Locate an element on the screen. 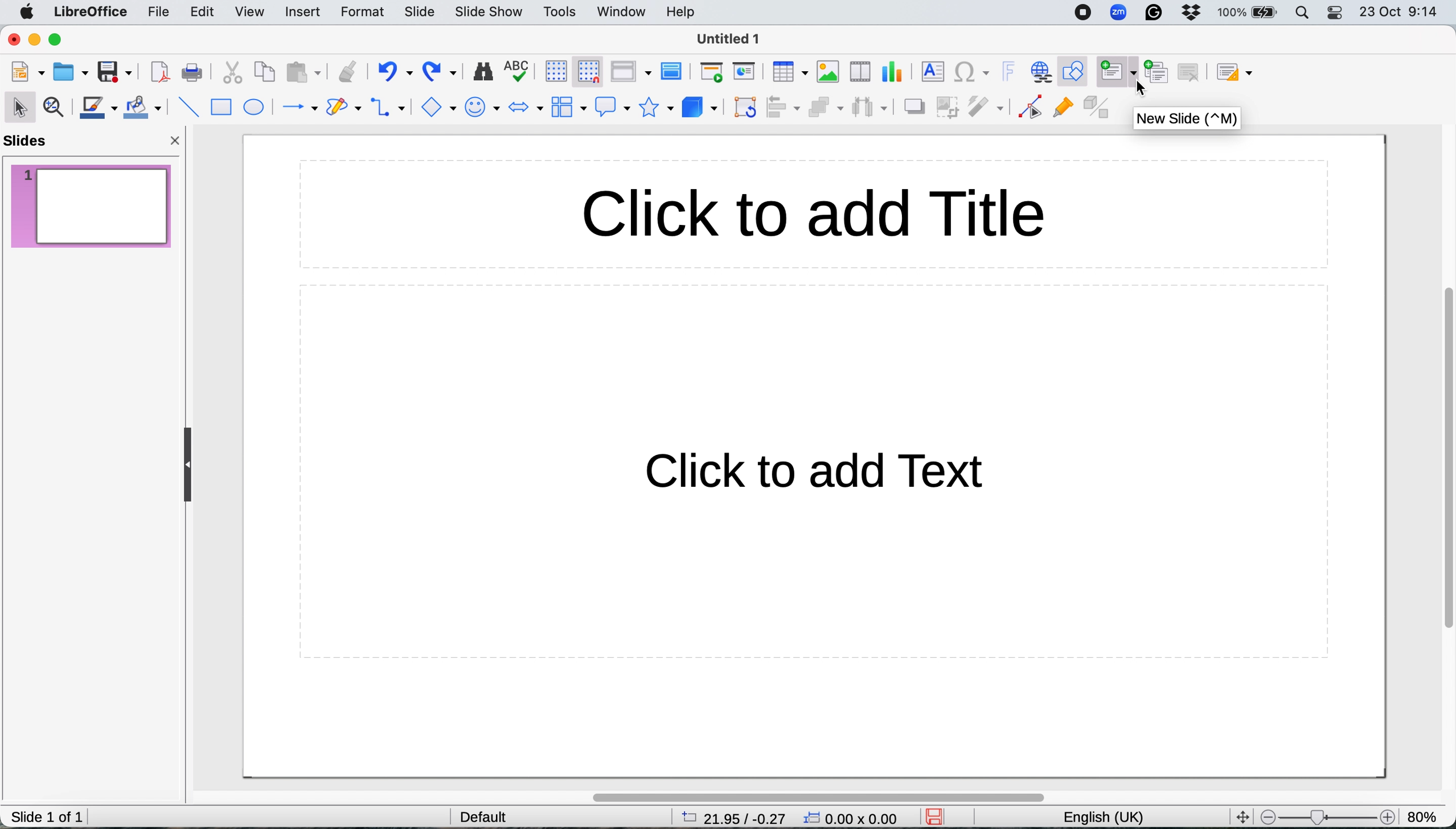 This screenshot has height=829, width=1456. stars and banners is located at coordinates (659, 109).